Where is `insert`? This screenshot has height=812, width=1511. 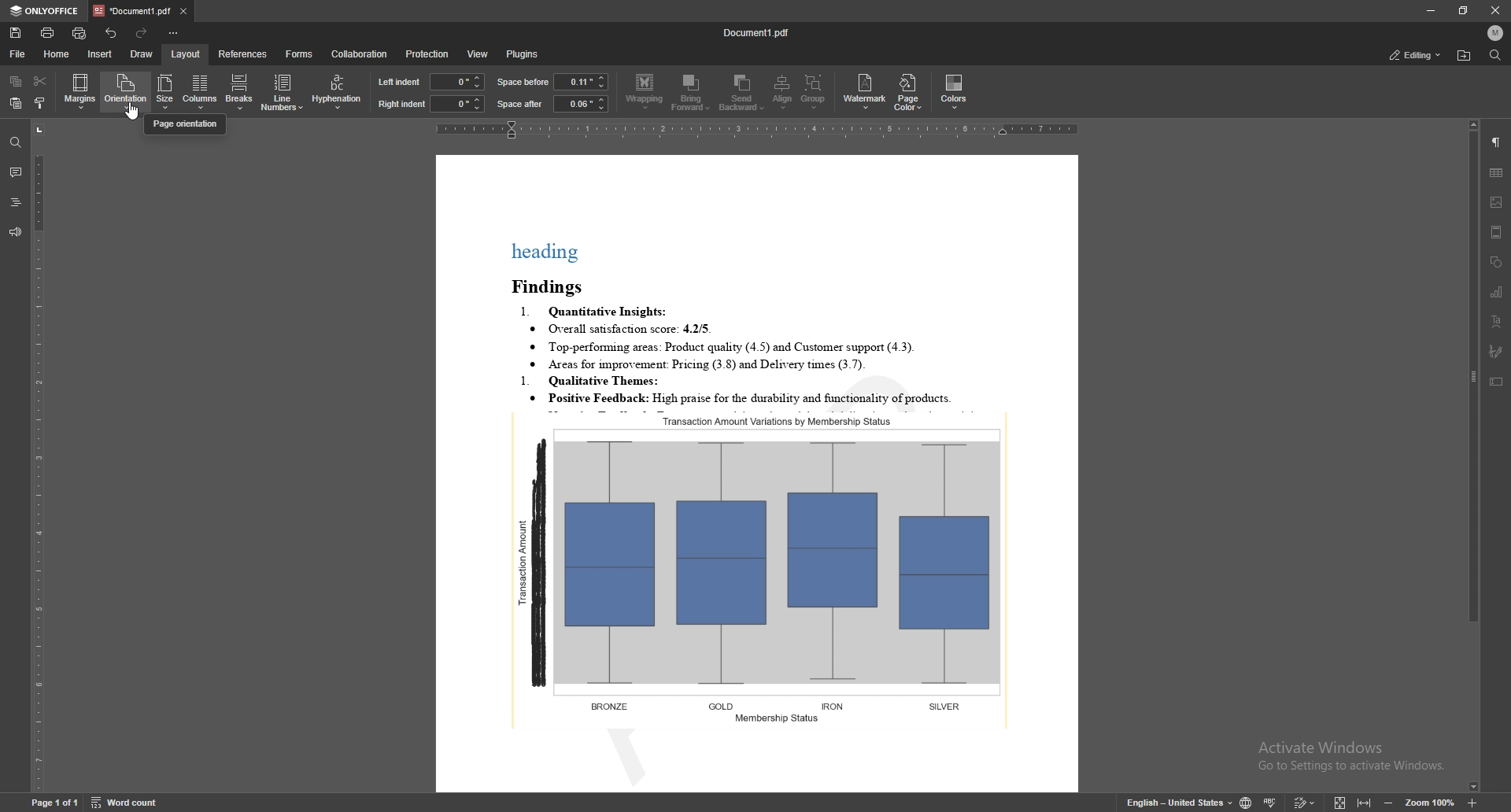 insert is located at coordinates (101, 54).